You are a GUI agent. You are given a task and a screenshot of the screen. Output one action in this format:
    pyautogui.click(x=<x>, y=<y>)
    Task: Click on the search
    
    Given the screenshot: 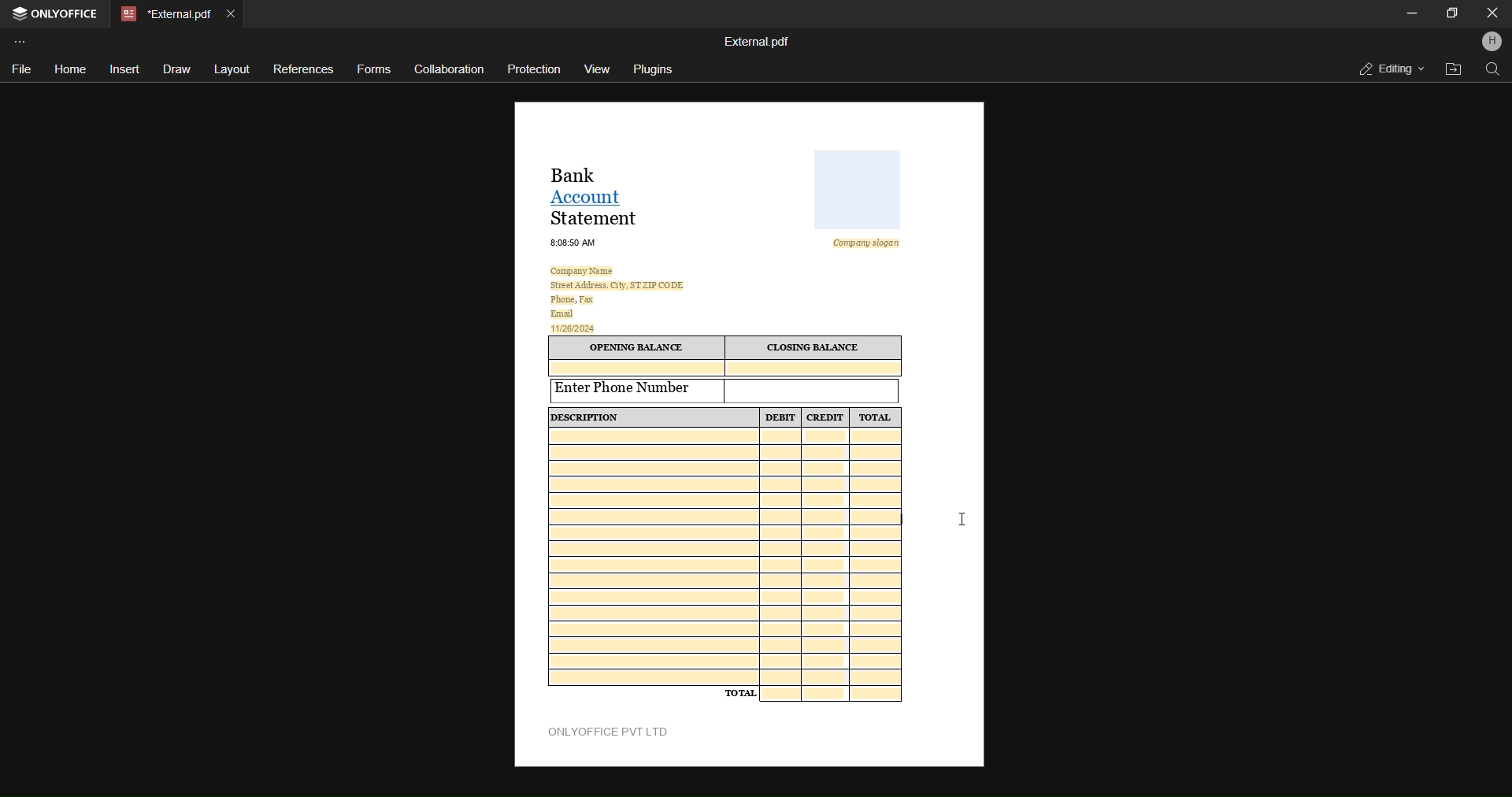 What is the action you would take?
    pyautogui.click(x=1492, y=70)
    